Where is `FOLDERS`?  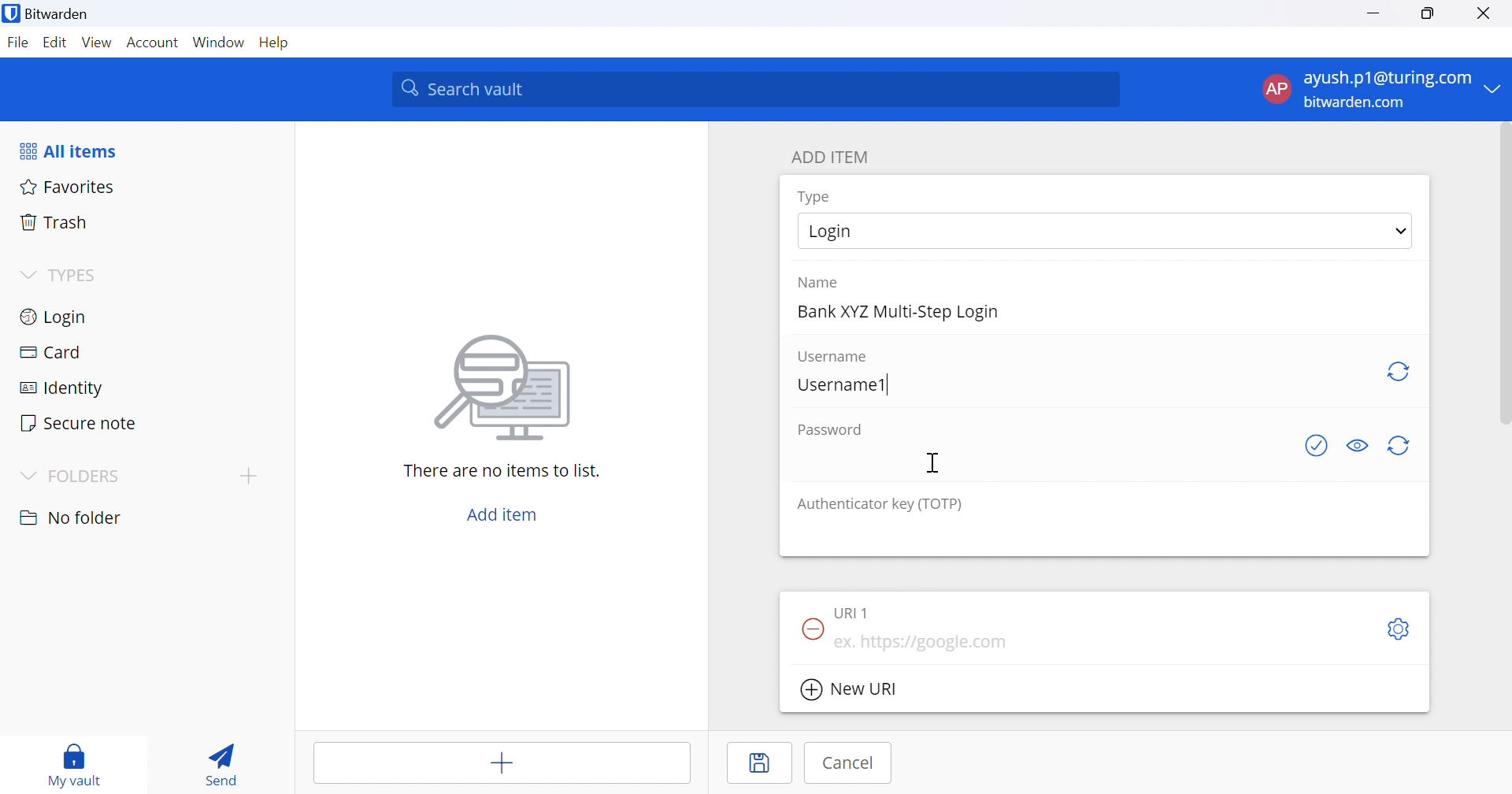
FOLDERS is located at coordinates (92, 477).